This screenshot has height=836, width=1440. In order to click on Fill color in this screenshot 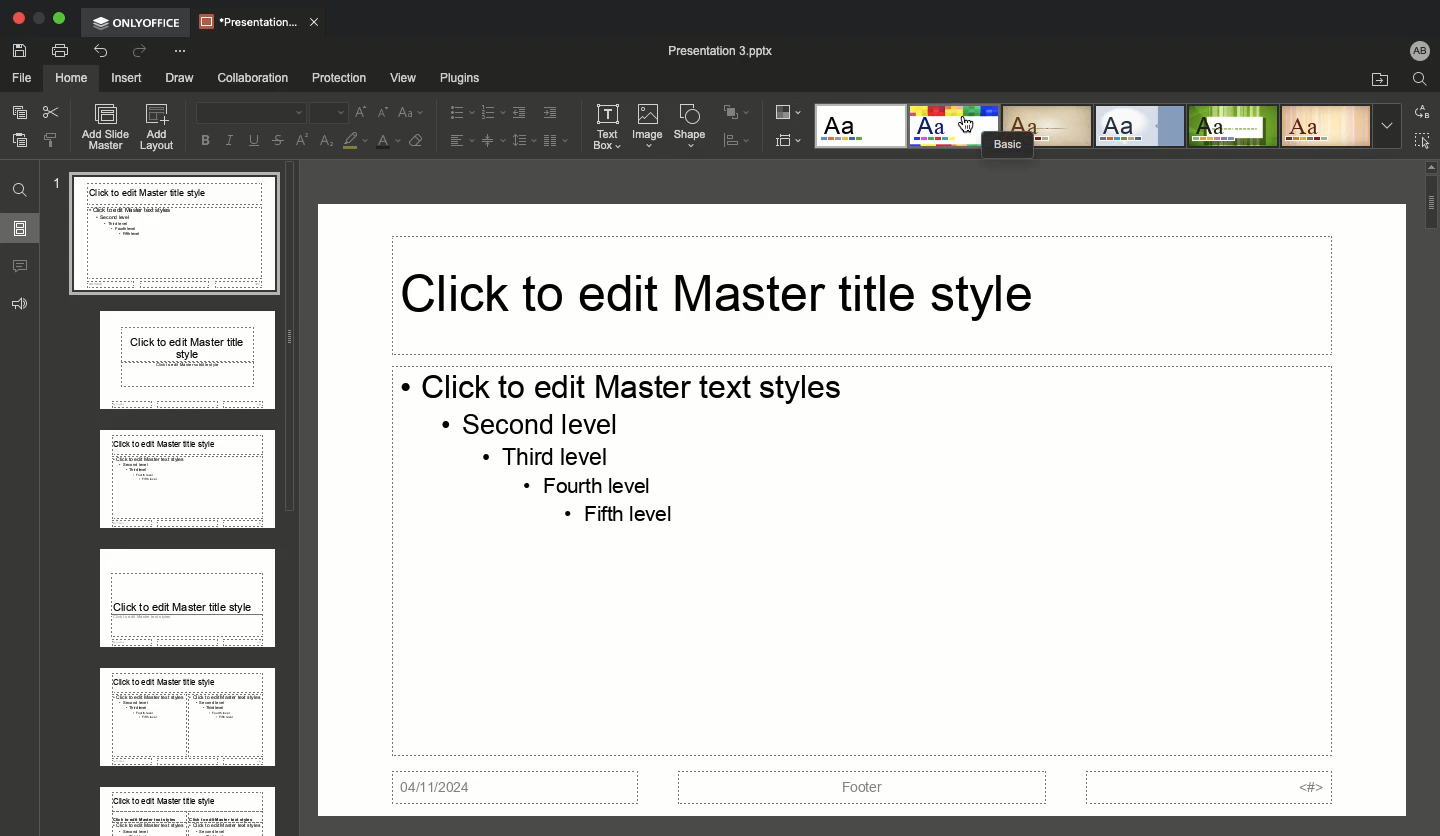, I will do `click(351, 142)`.